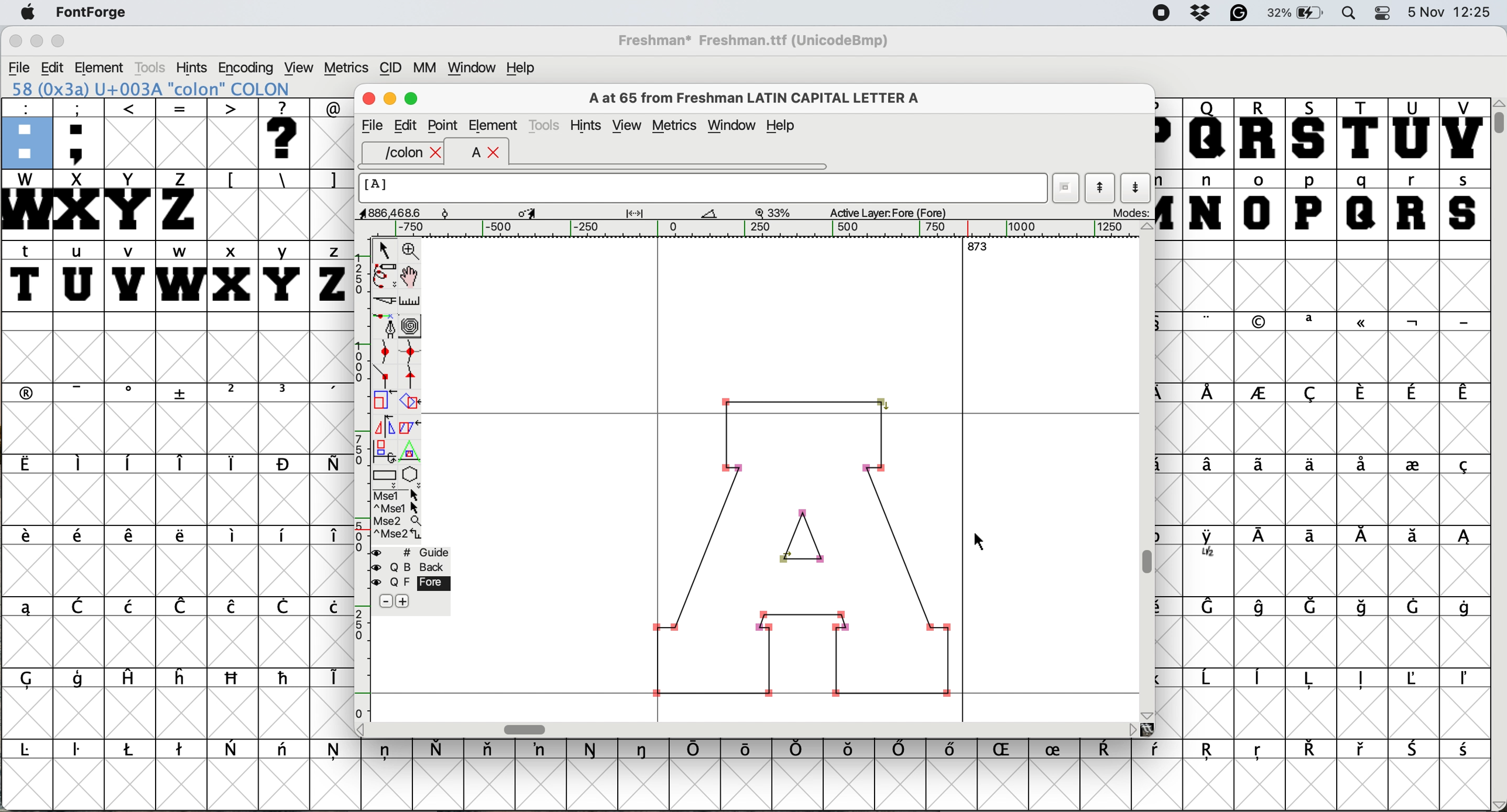 The height and width of the screenshot is (812, 1507). I want to click on symbol, so click(130, 463).